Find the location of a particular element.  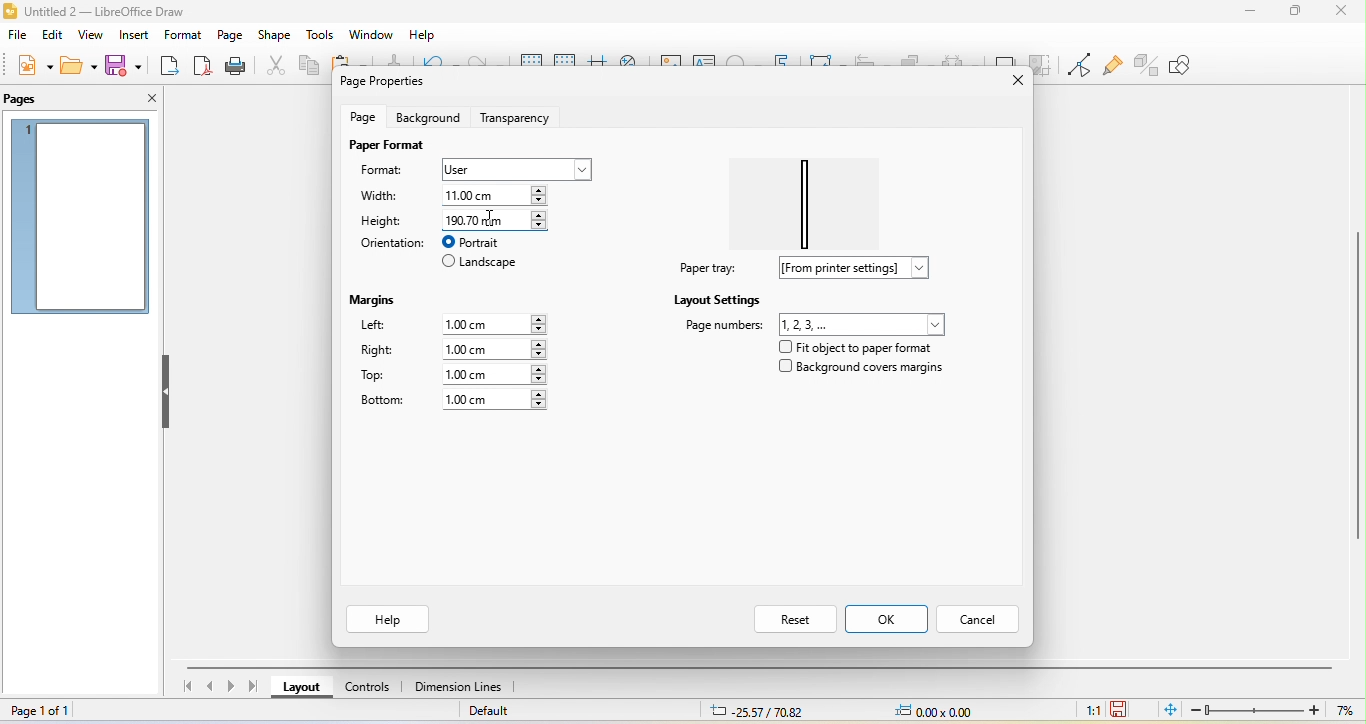

help is located at coordinates (390, 619).